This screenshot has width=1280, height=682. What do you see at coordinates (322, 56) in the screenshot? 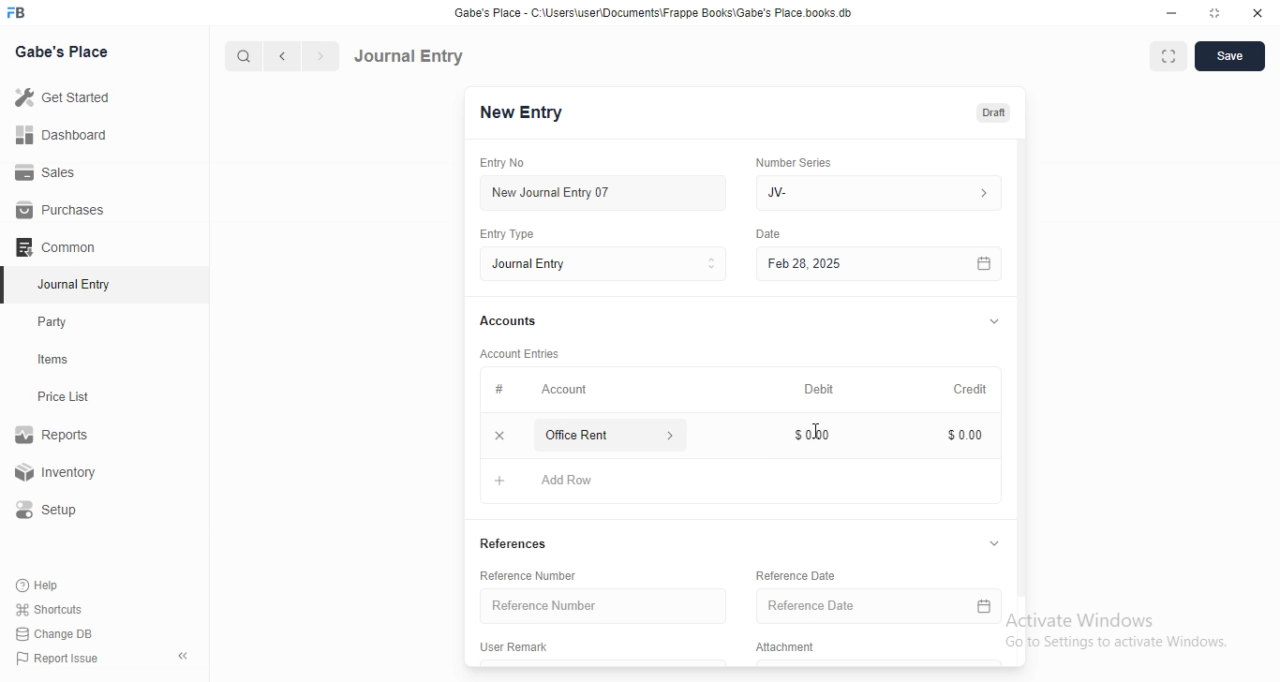
I see `forward` at bounding box center [322, 56].